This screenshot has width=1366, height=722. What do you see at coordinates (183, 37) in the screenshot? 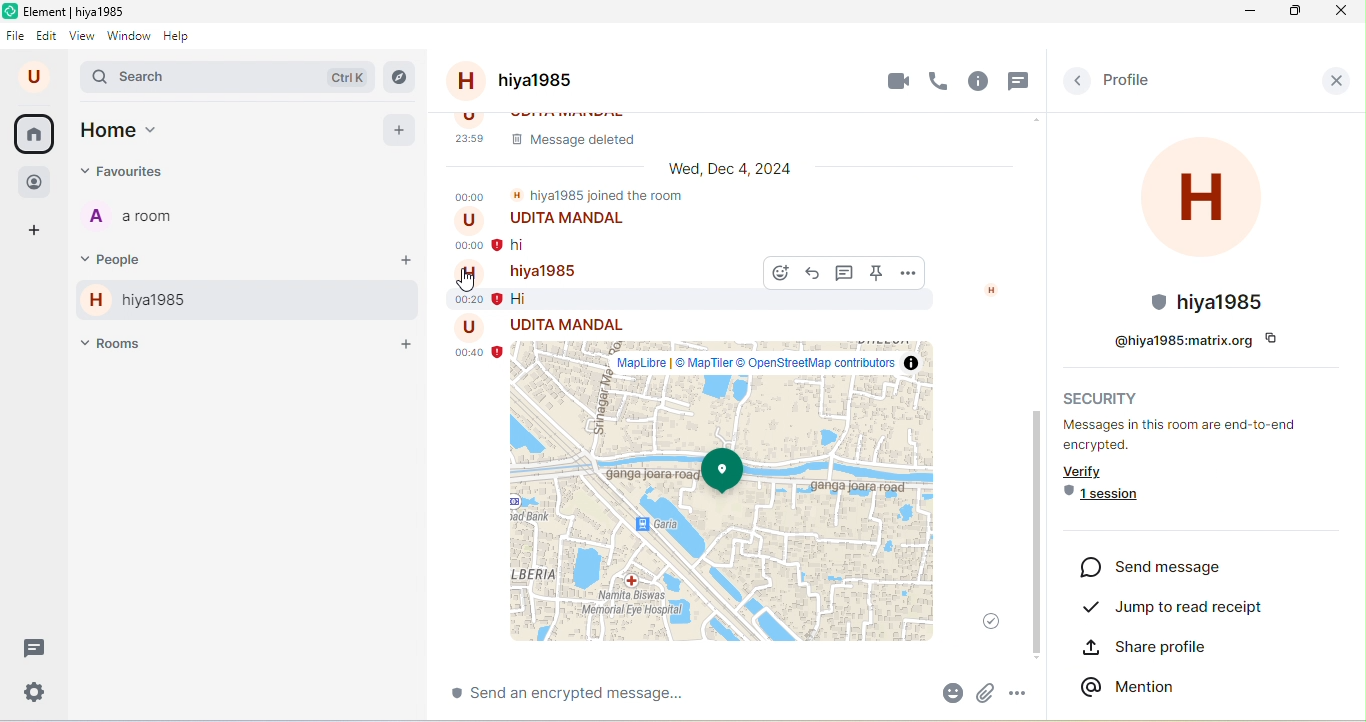
I see `help` at bounding box center [183, 37].